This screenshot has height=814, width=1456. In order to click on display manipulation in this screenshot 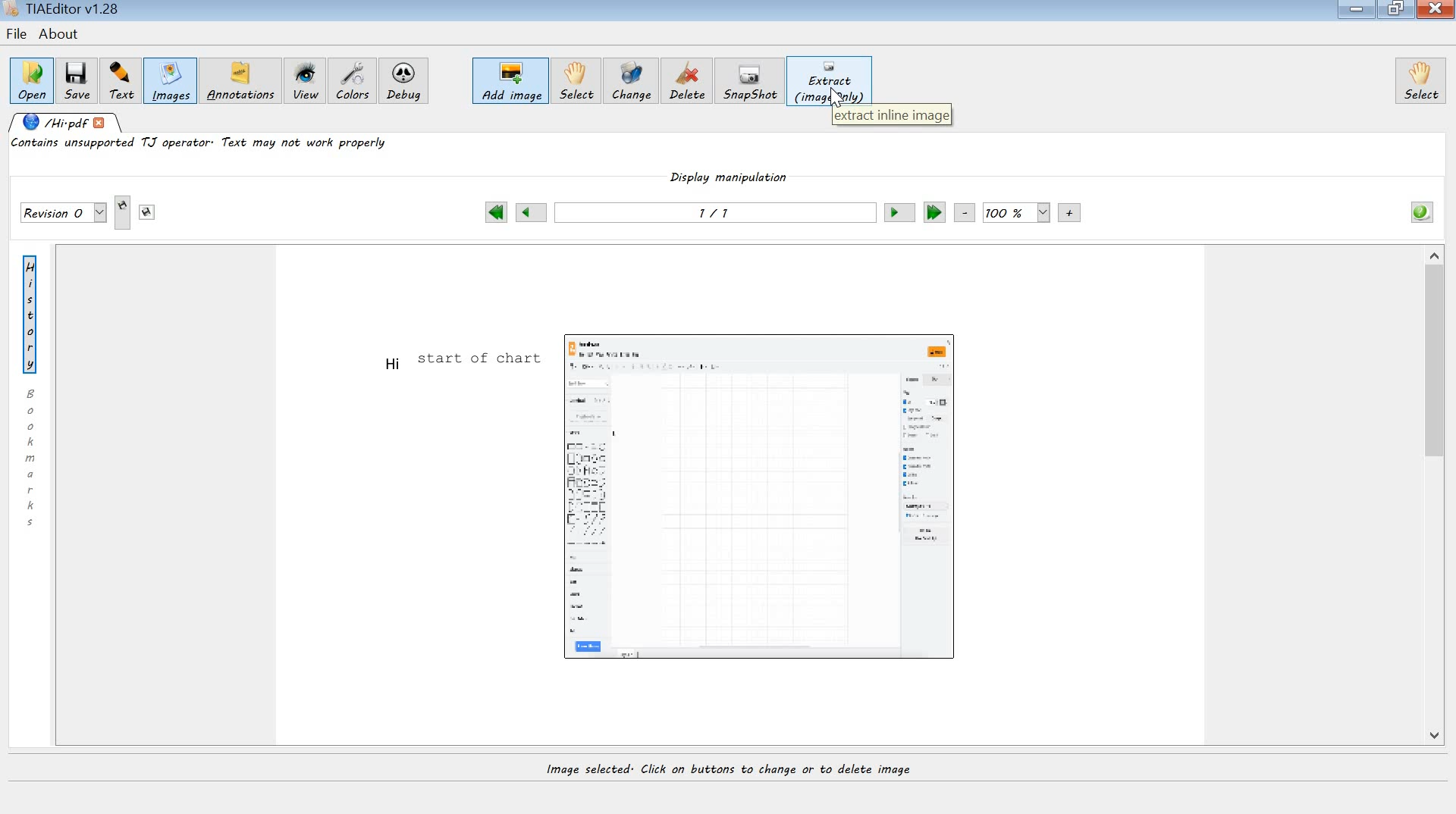, I will do `click(731, 182)`.